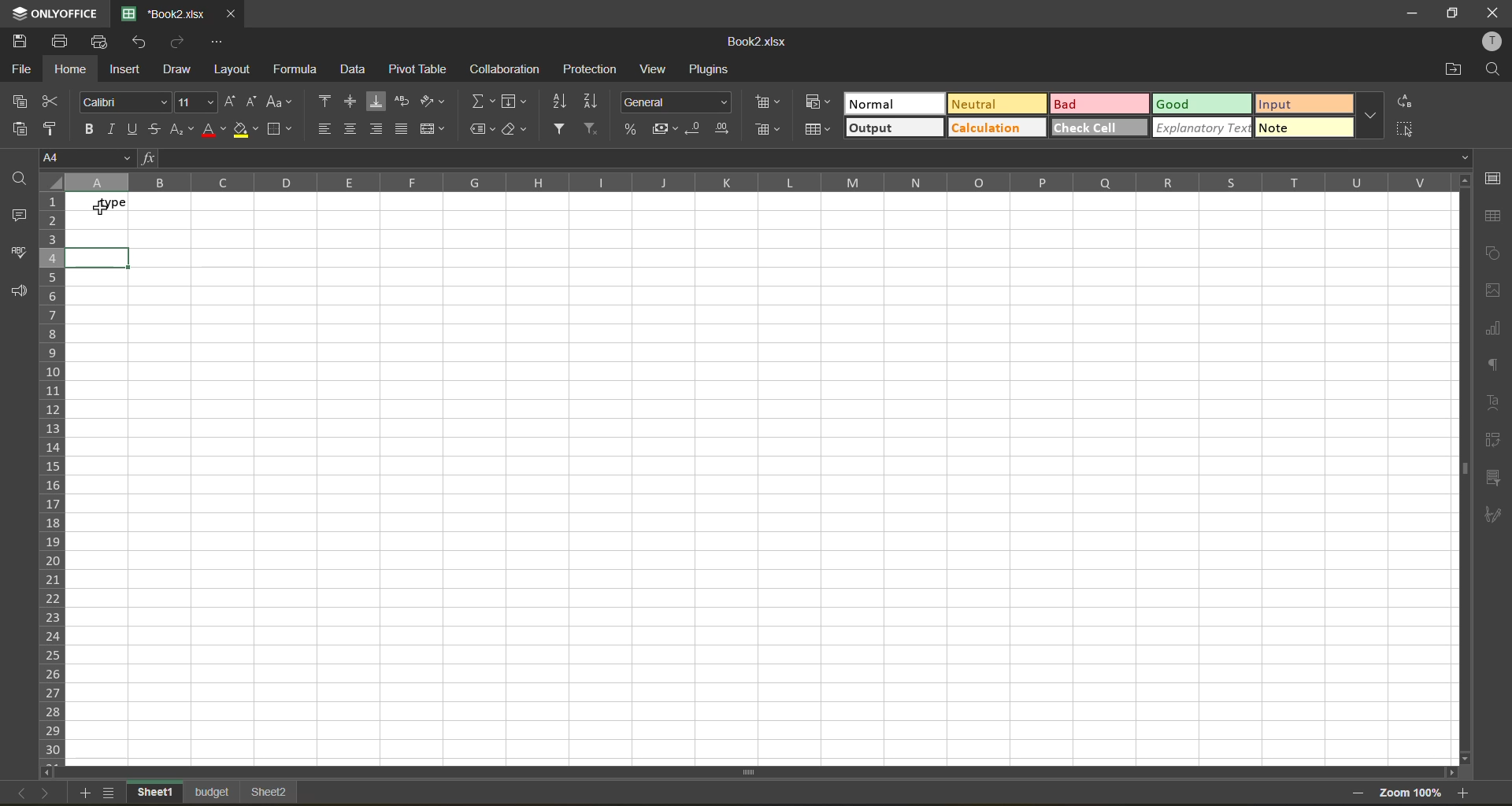 The image size is (1512, 806). Describe the element at coordinates (1301, 129) in the screenshot. I see `more` at that location.